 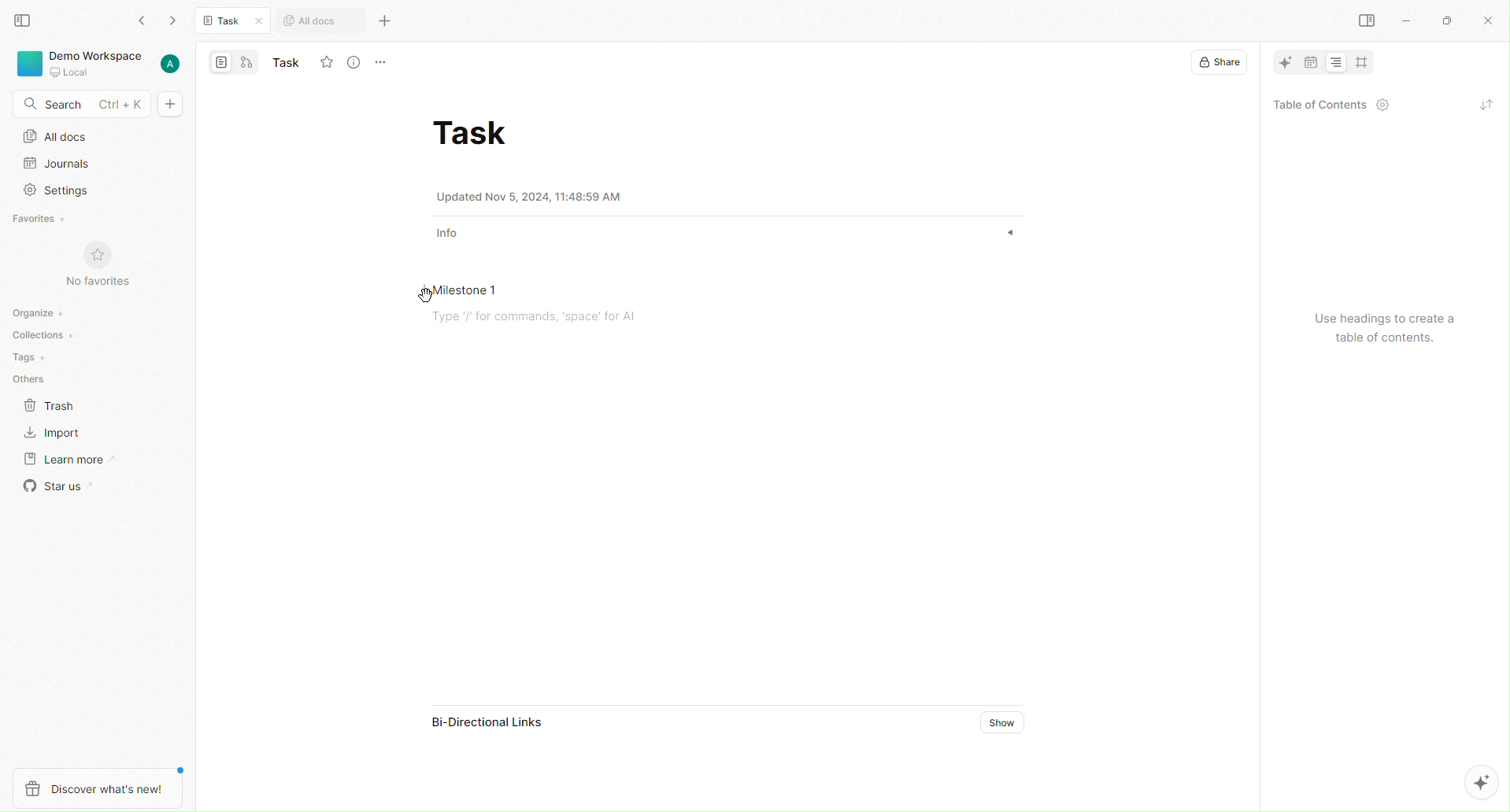 I want to click on Back, so click(x=143, y=20).